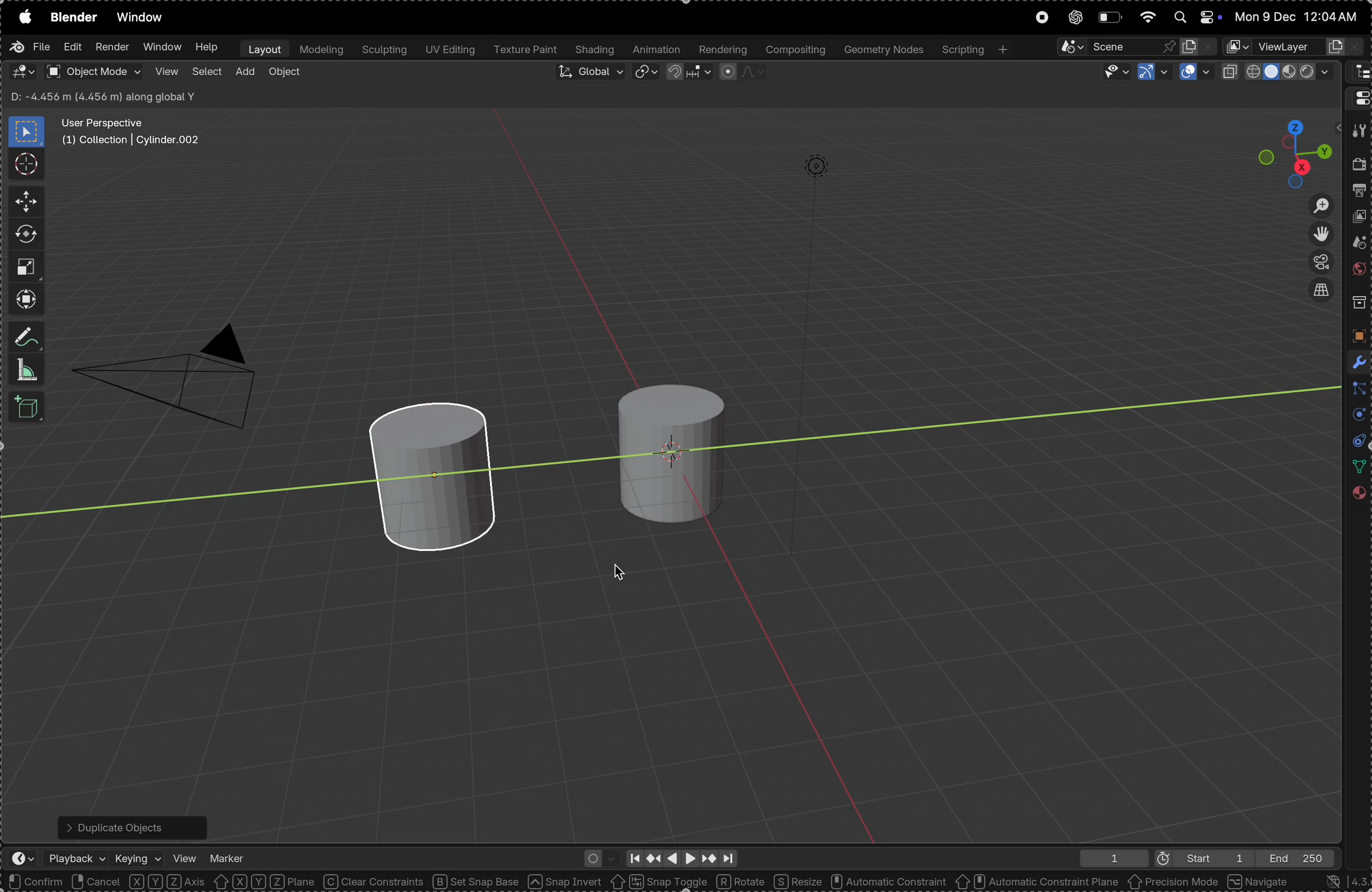 The width and height of the screenshot is (1372, 892). I want to click on particles, so click(1356, 390).